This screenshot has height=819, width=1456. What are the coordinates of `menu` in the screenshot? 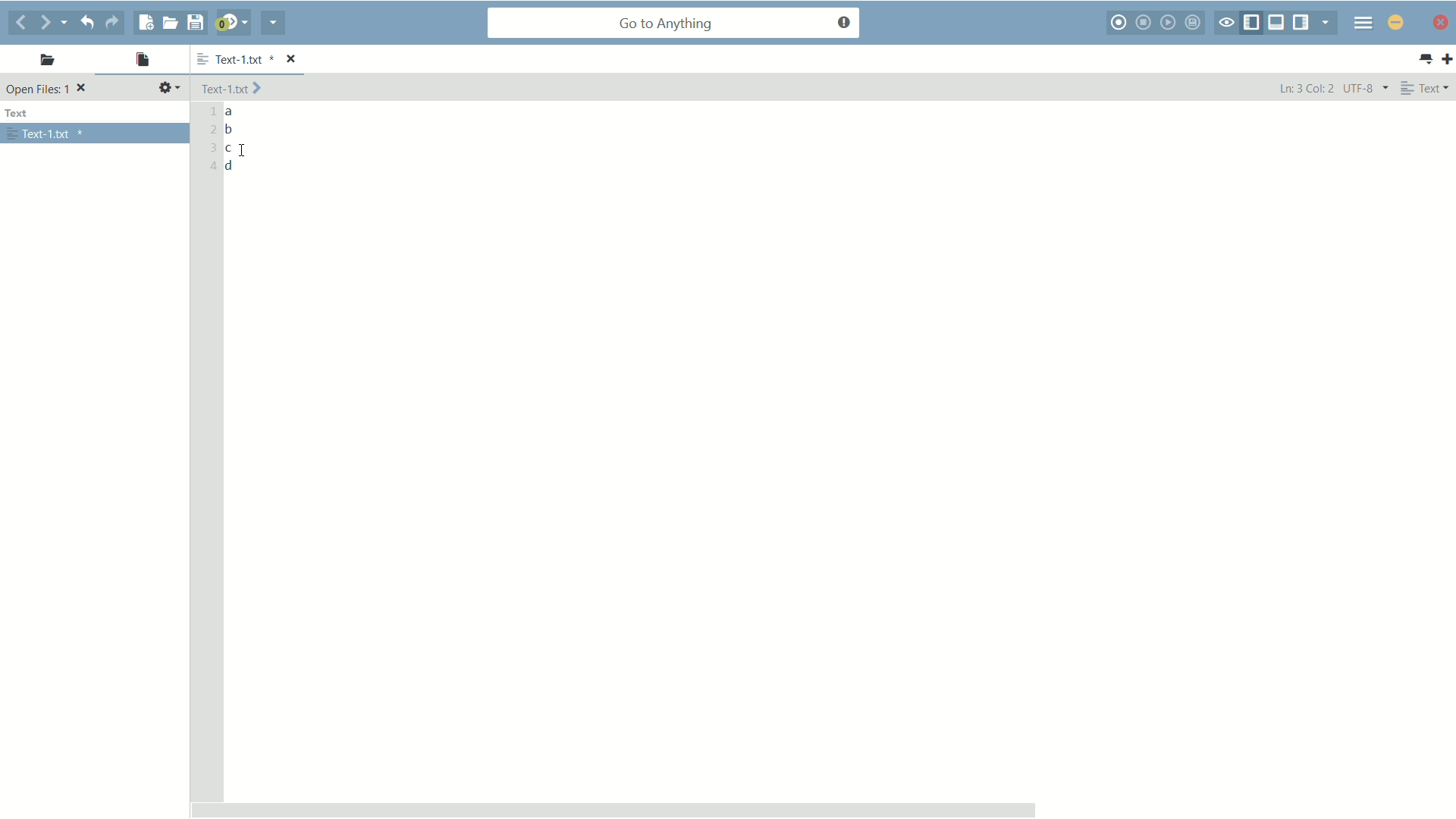 It's located at (1361, 24).